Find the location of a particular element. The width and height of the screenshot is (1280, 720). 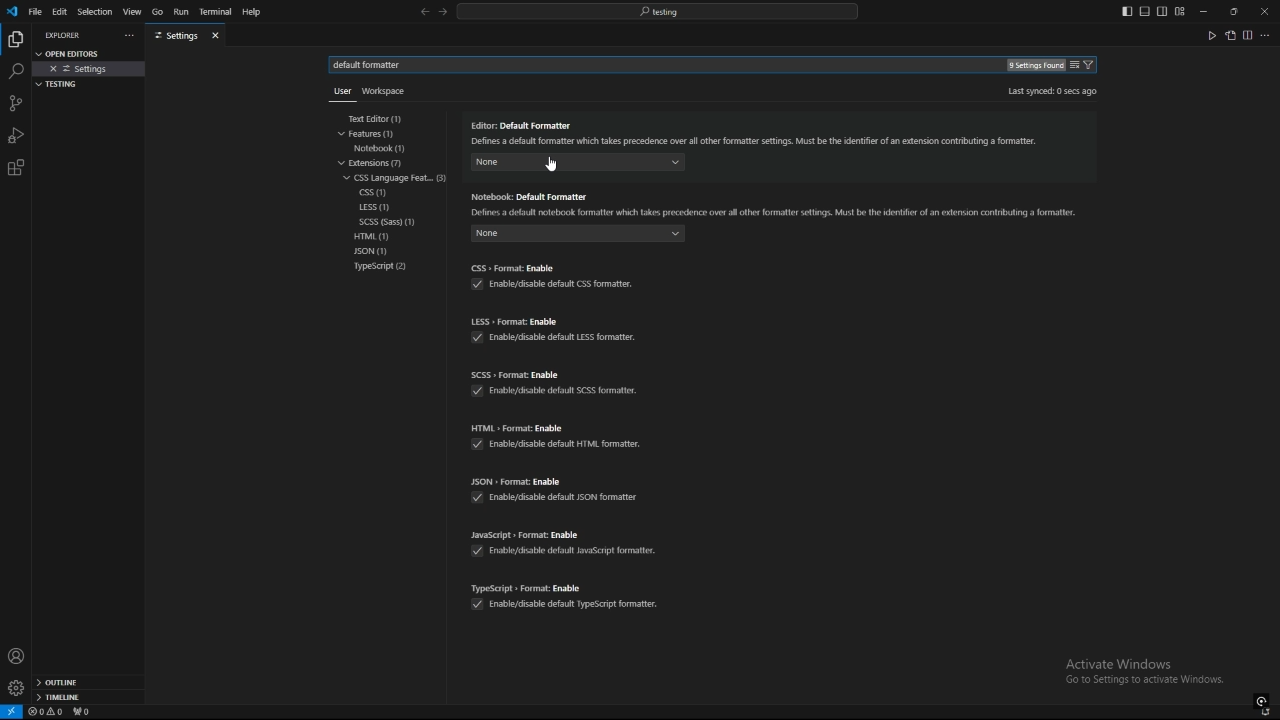

split editor right is located at coordinates (1248, 35).